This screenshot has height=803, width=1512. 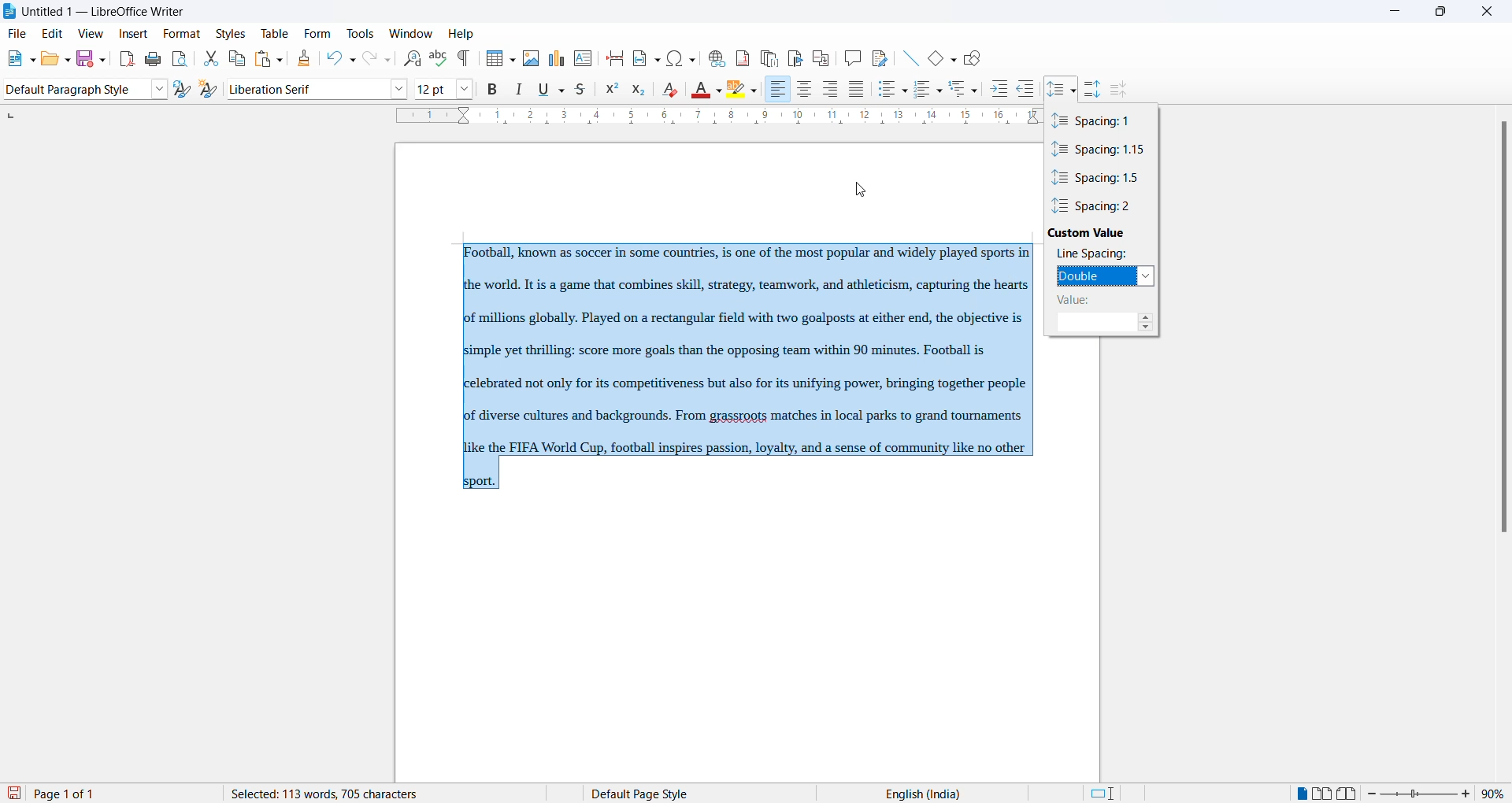 What do you see at coordinates (408, 32) in the screenshot?
I see `window` at bounding box center [408, 32].